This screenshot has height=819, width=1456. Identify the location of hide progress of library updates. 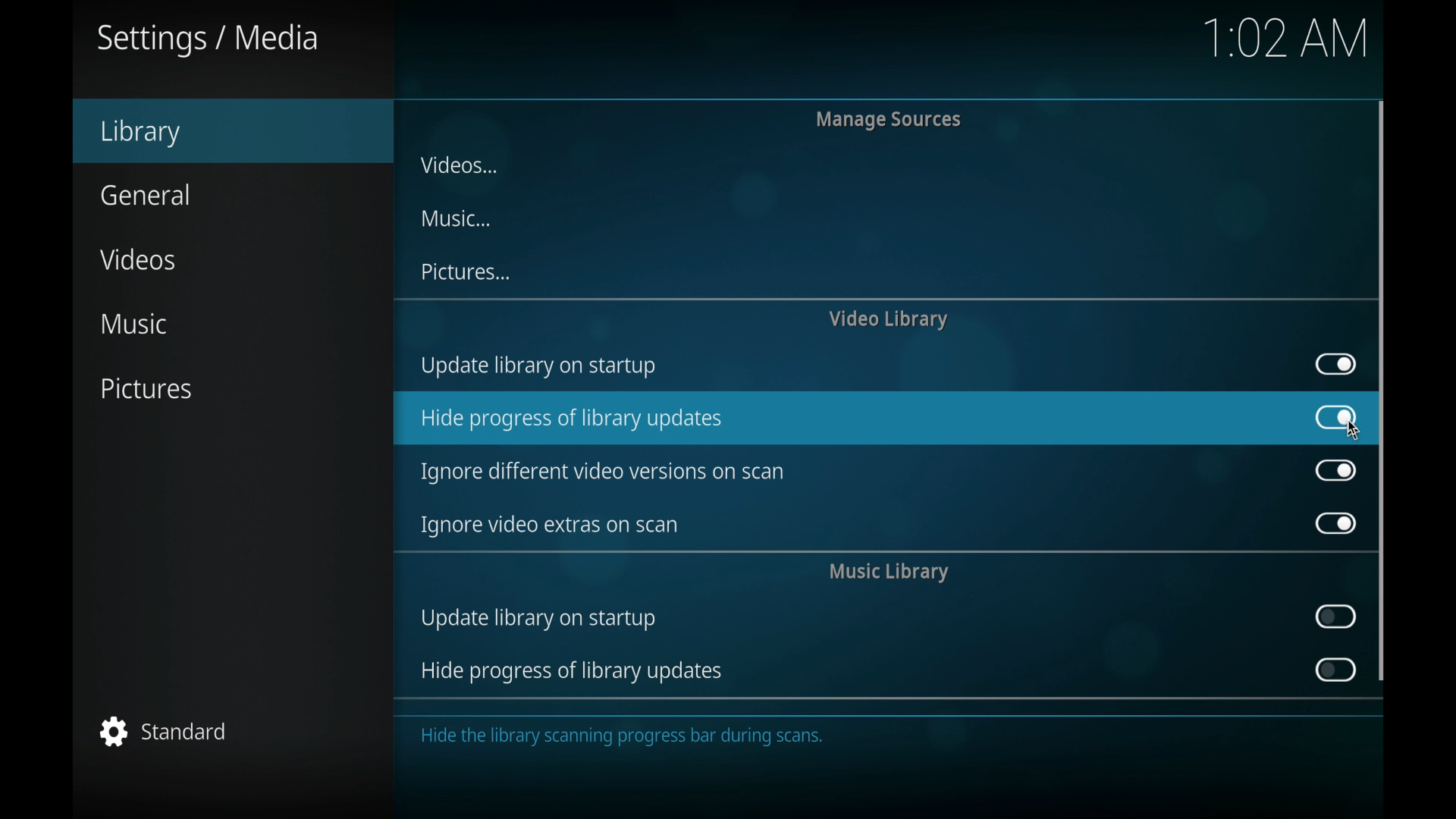
(573, 672).